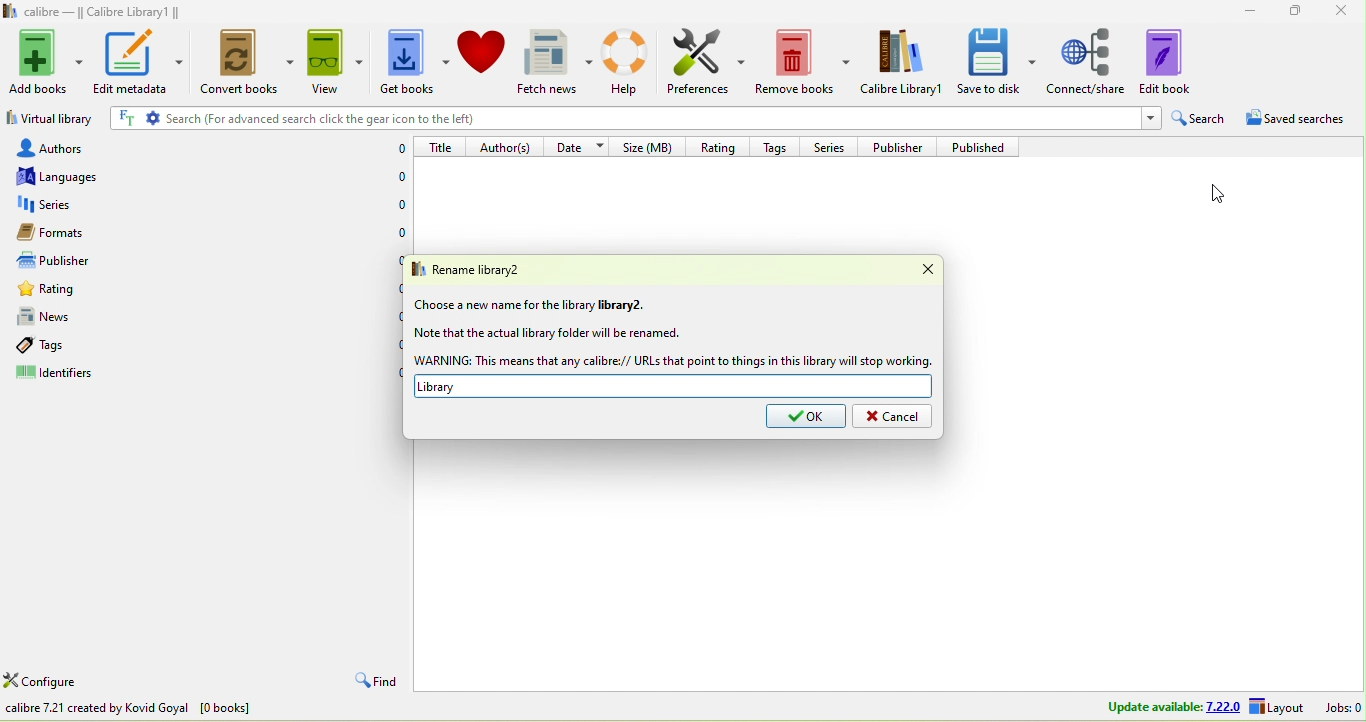 The width and height of the screenshot is (1366, 722). Describe the element at coordinates (89, 292) in the screenshot. I see `rating` at that location.